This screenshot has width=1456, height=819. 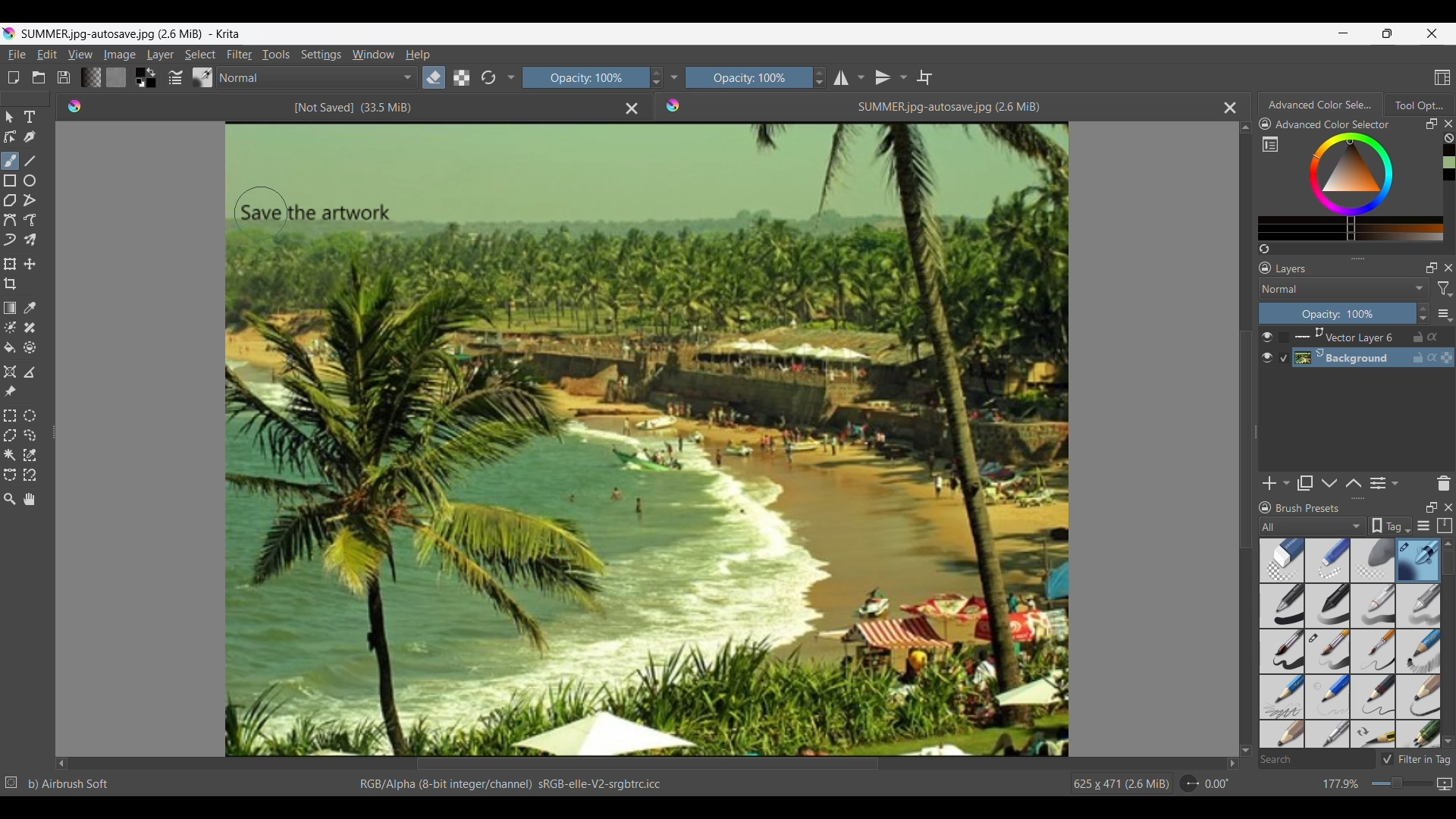 What do you see at coordinates (1448, 162) in the screenshot?
I see `Color history` at bounding box center [1448, 162].